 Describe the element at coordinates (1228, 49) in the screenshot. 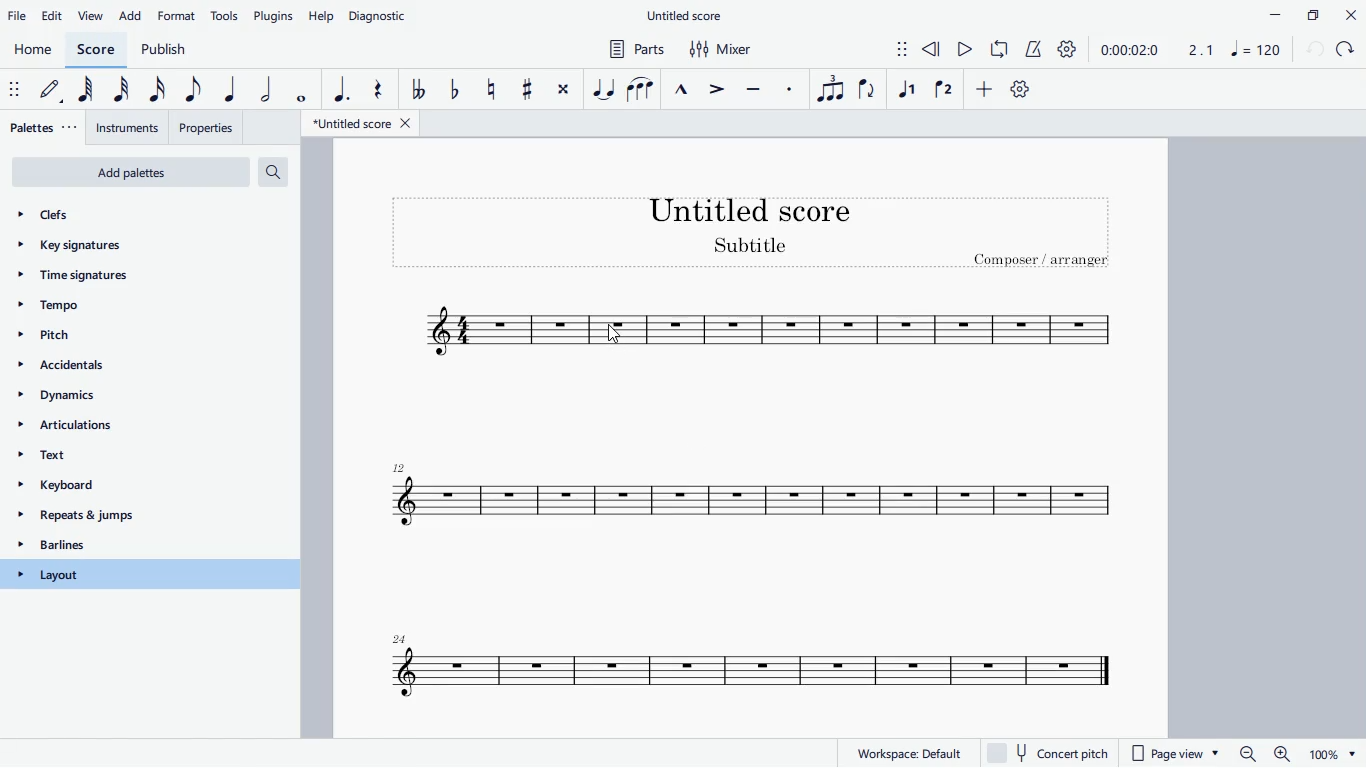

I see `scale` at that location.